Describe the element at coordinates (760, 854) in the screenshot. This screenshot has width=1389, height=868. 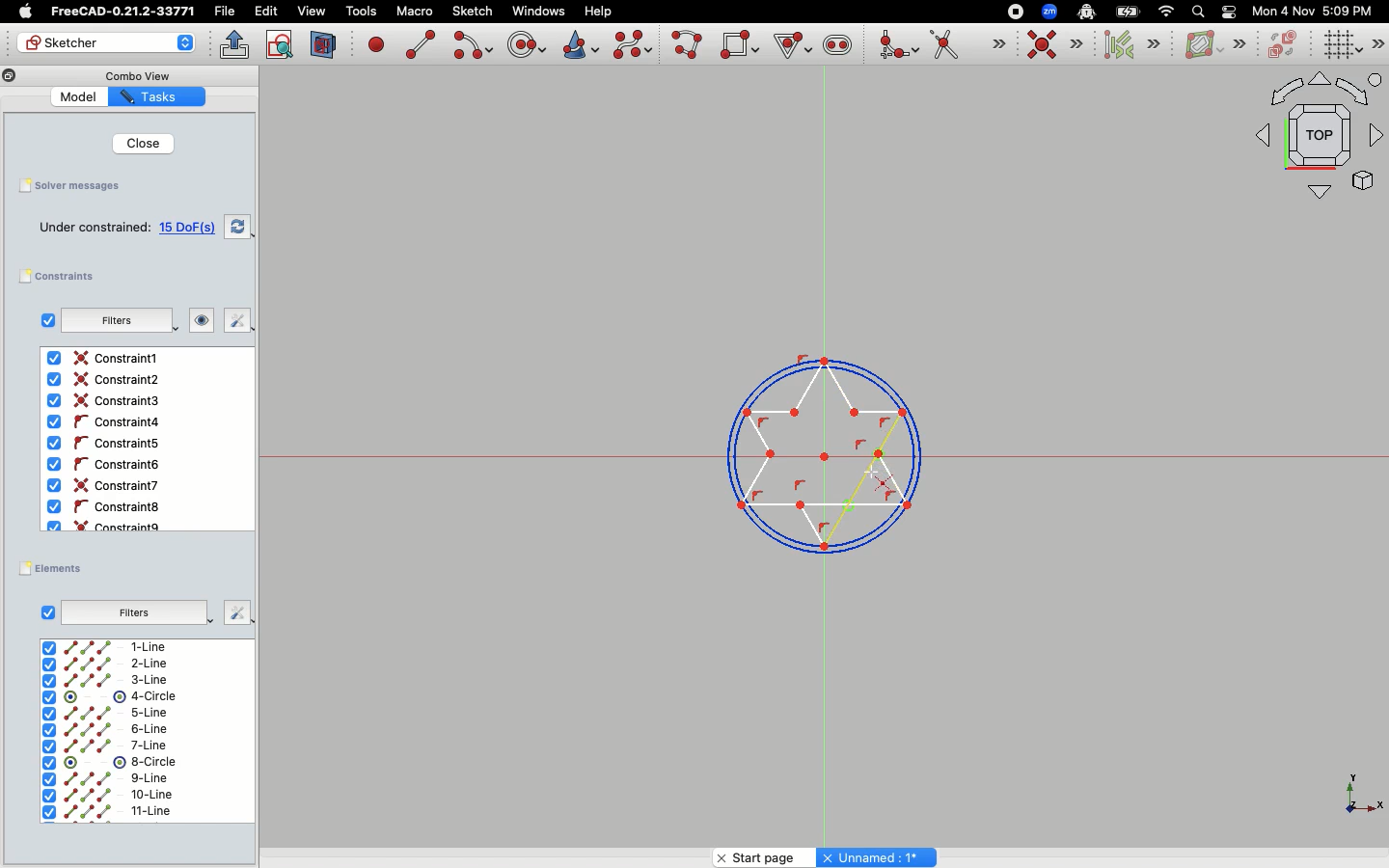
I see `Start page` at that location.